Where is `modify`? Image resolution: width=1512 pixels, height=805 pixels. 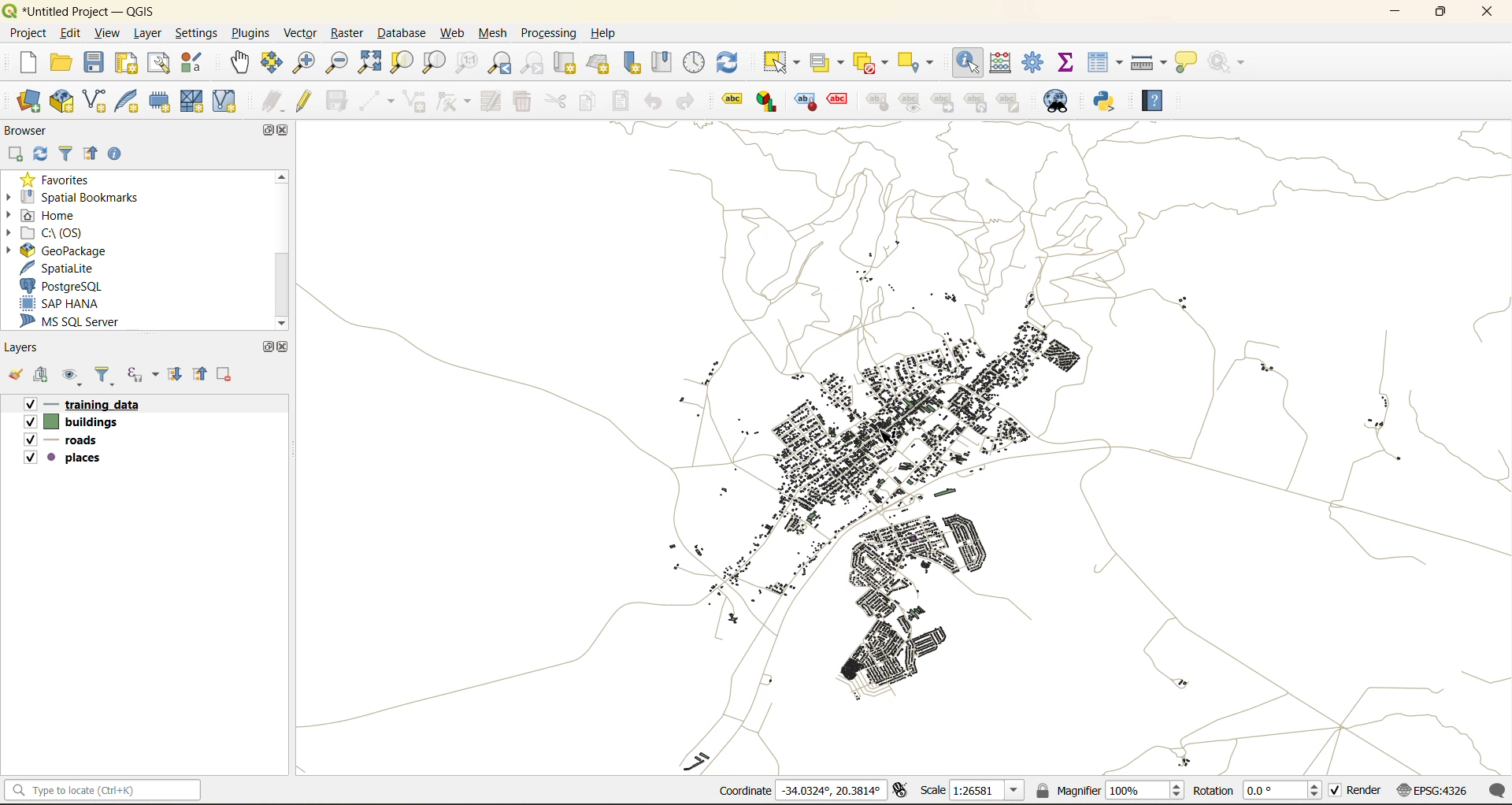 modify is located at coordinates (491, 102).